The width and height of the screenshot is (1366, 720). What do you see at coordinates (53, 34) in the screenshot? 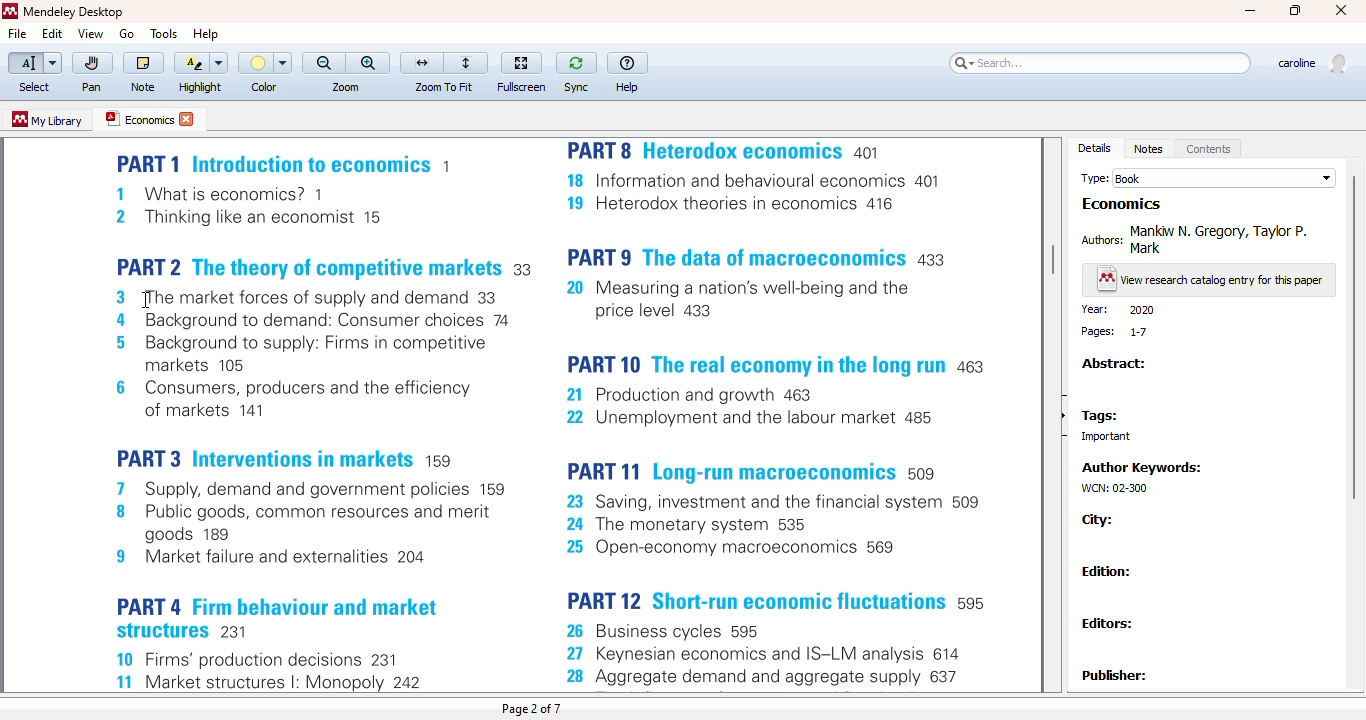
I see `edit` at bounding box center [53, 34].